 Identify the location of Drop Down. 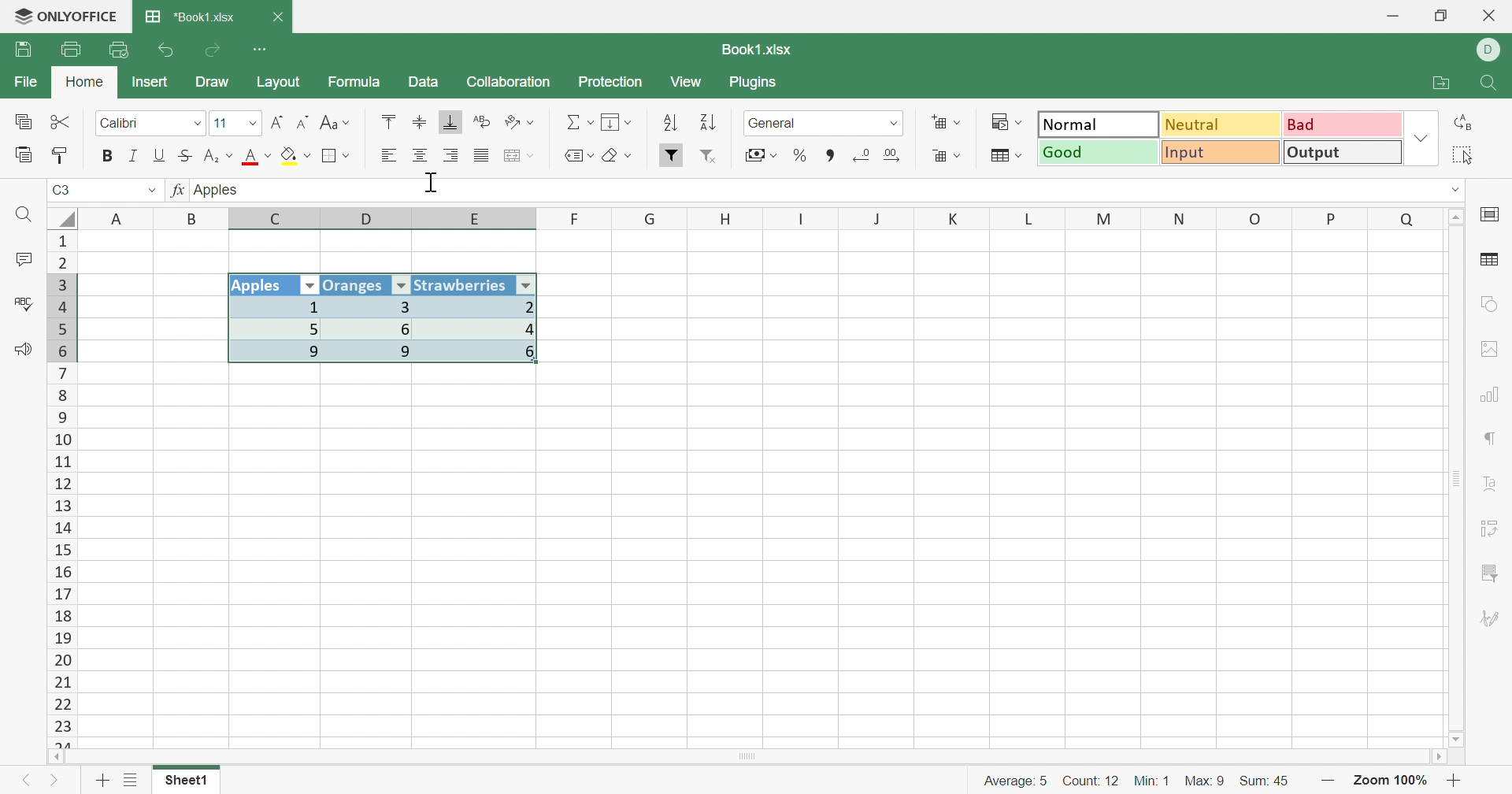
(250, 125).